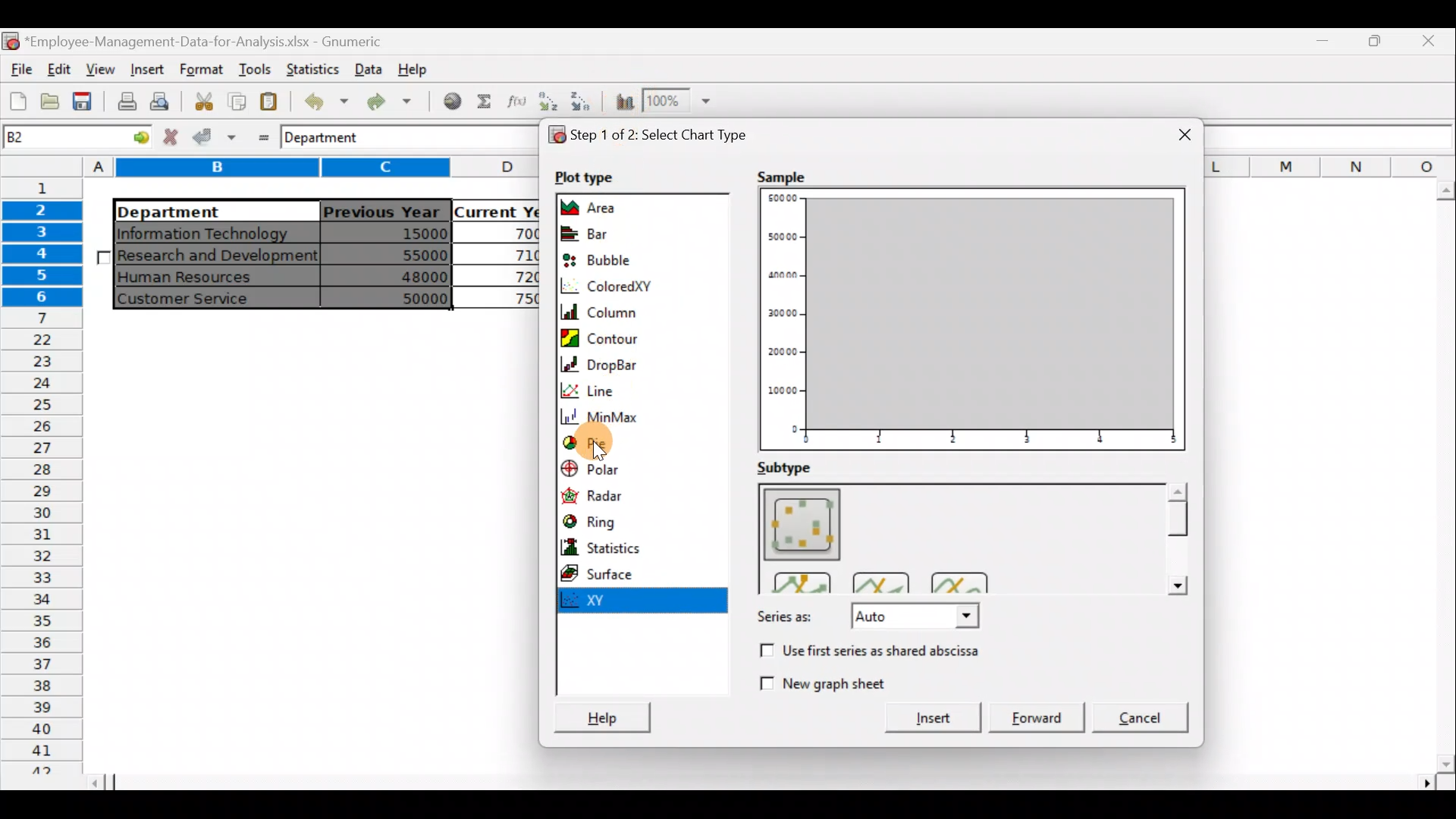  I want to click on Maximize, so click(1328, 43).